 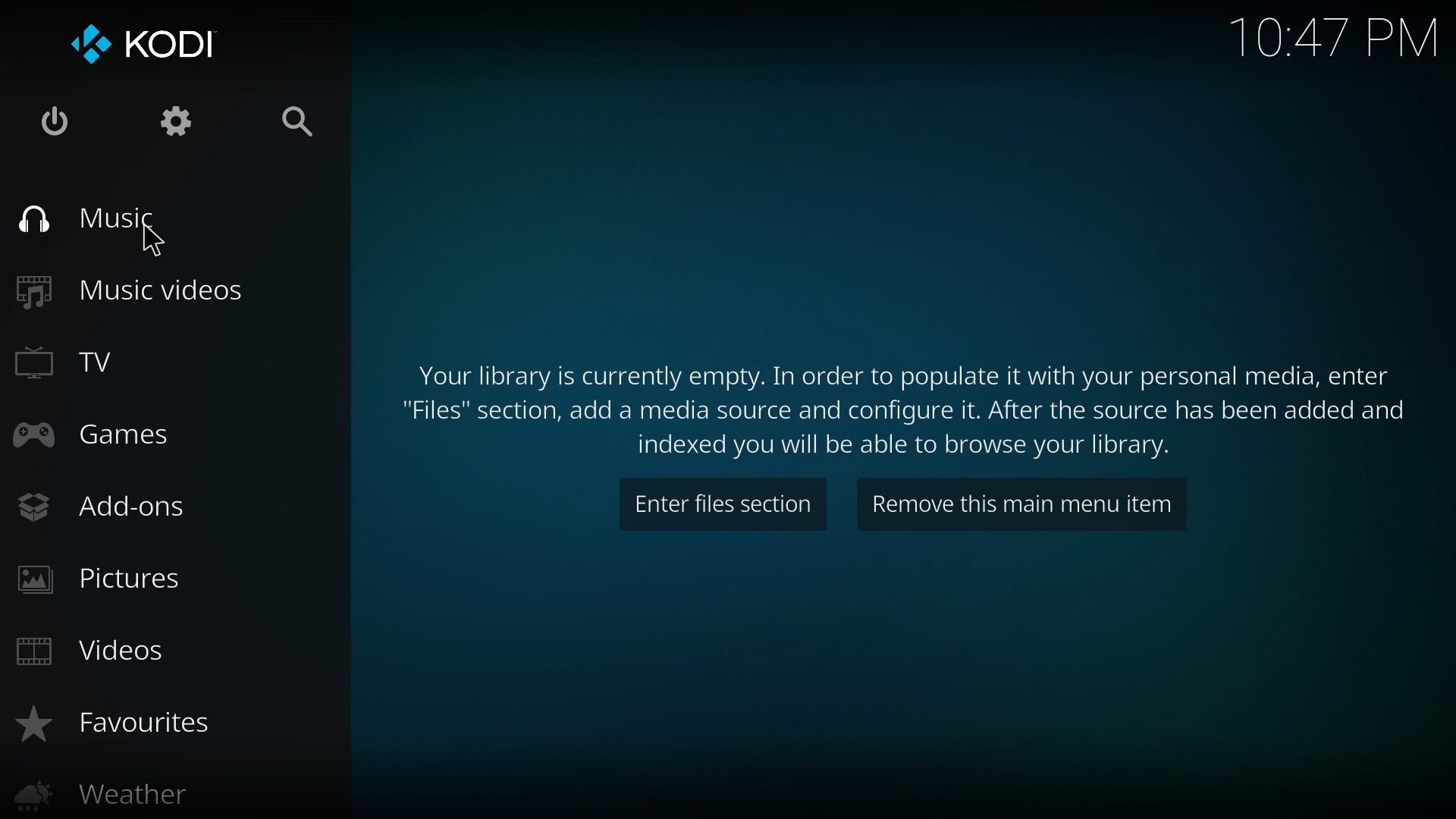 What do you see at coordinates (147, 43) in the screenshot?
I see `kodi` at bounding box center [147, 43].